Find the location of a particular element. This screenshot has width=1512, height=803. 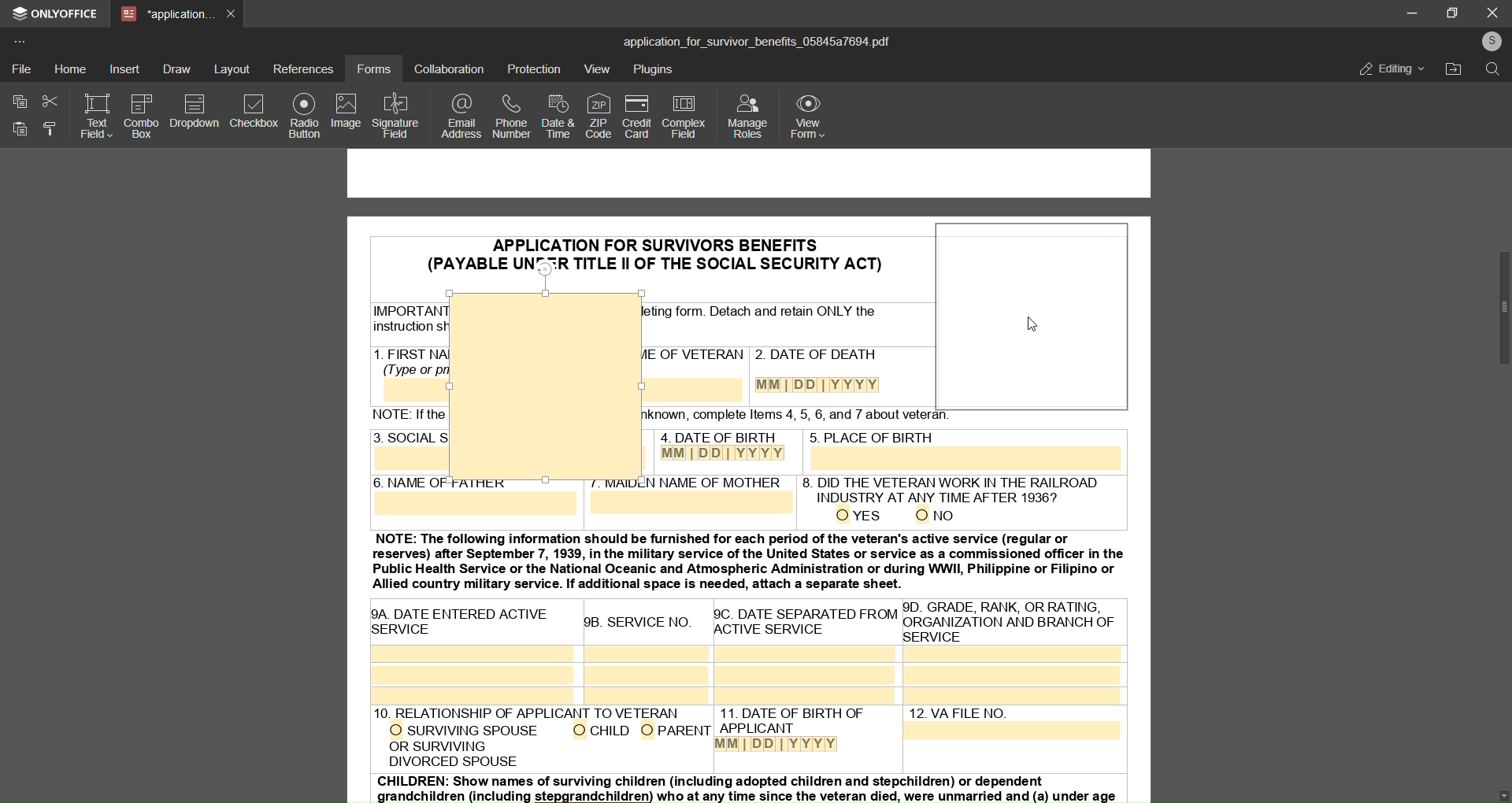

search is located at coordinates (1492, 72).